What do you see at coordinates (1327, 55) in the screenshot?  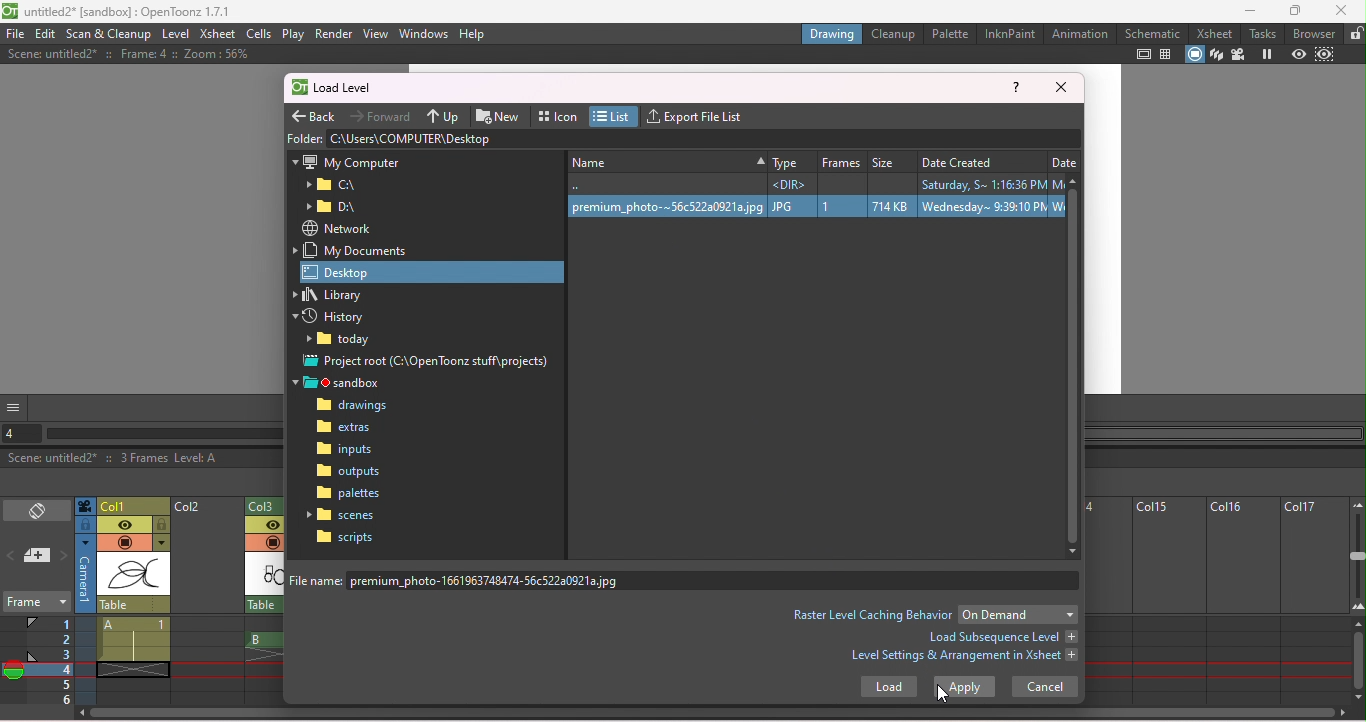 I see `Sub-camera` at bounding box center [1327, 55].